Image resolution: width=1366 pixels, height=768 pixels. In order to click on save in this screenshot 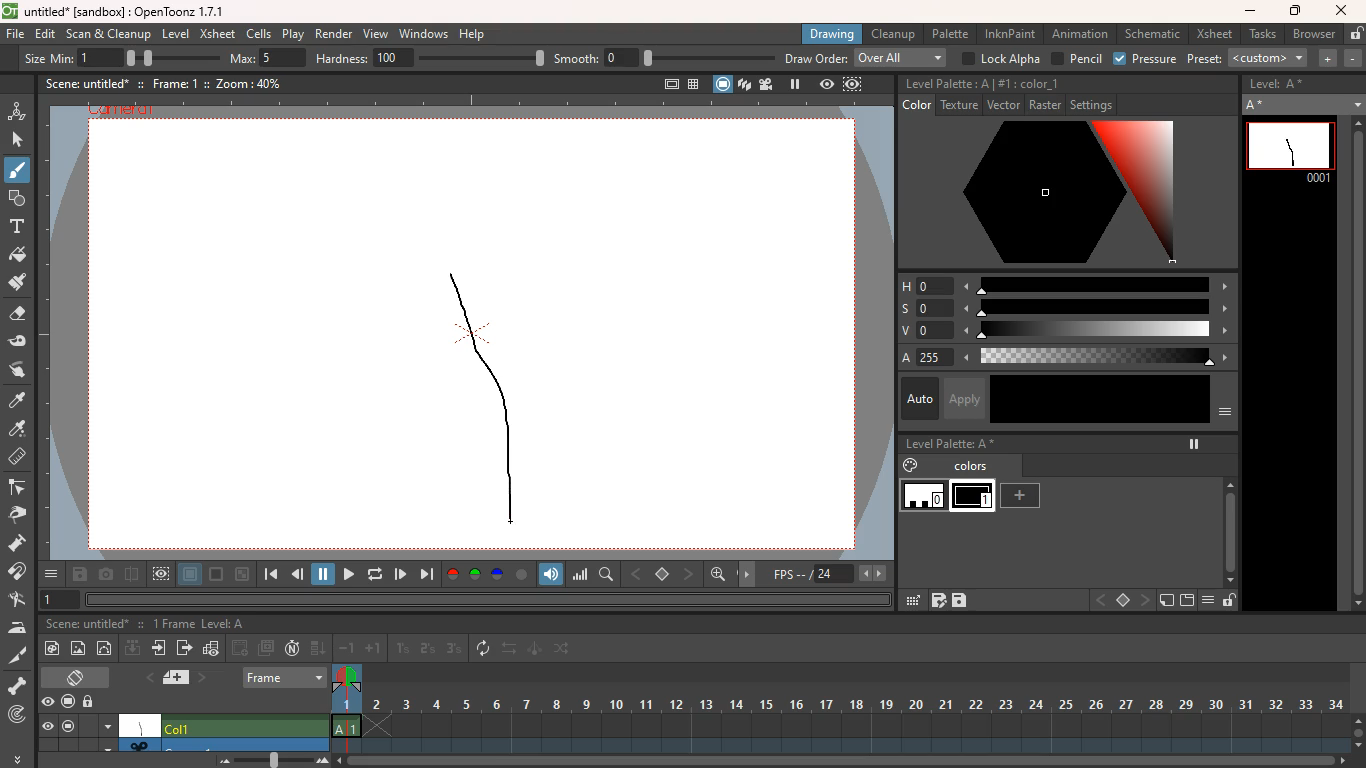, I will do `click(961, 601)`.